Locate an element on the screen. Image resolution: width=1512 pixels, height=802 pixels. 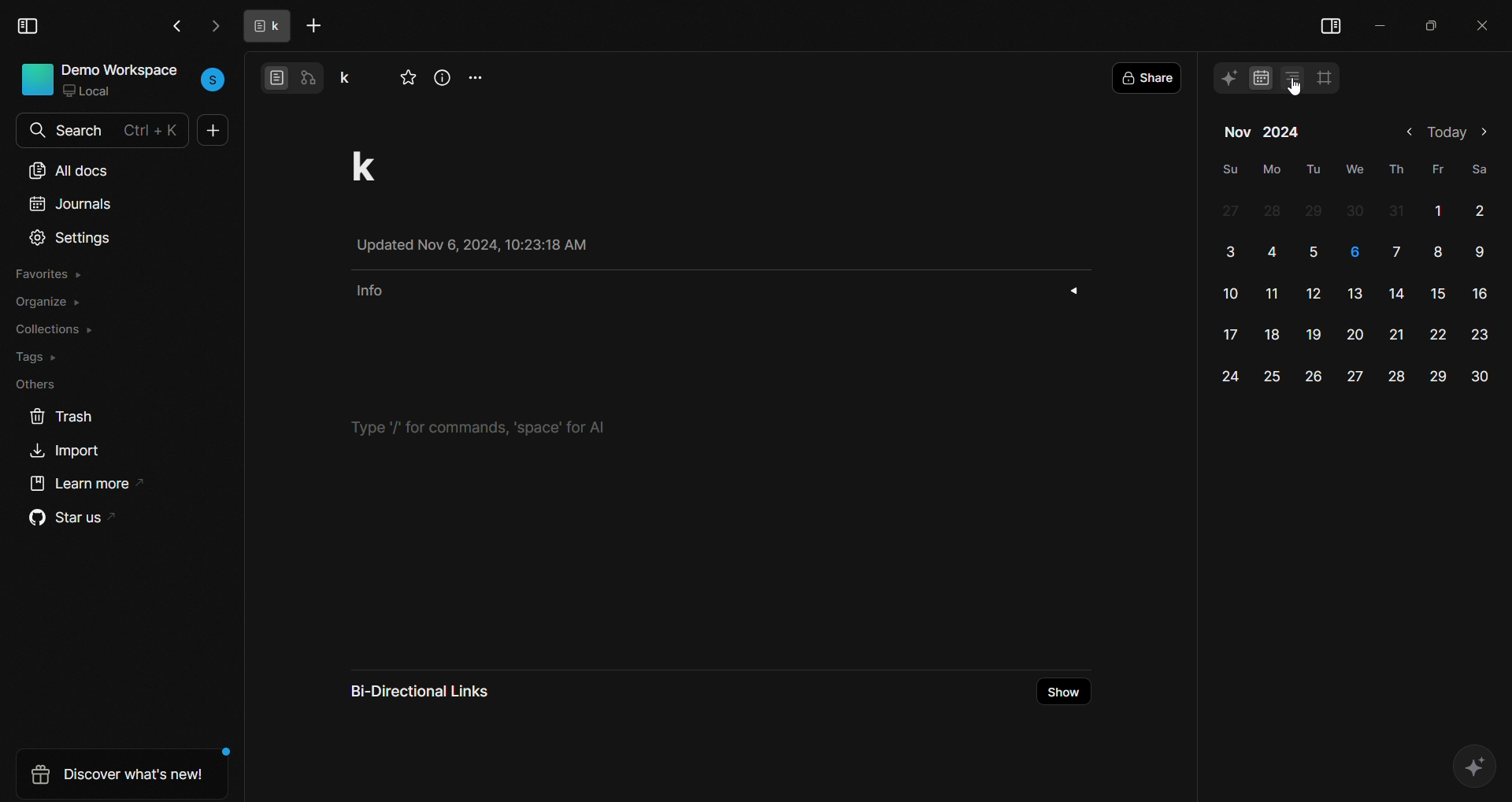
cursor is located at coordinates (1298, 90).